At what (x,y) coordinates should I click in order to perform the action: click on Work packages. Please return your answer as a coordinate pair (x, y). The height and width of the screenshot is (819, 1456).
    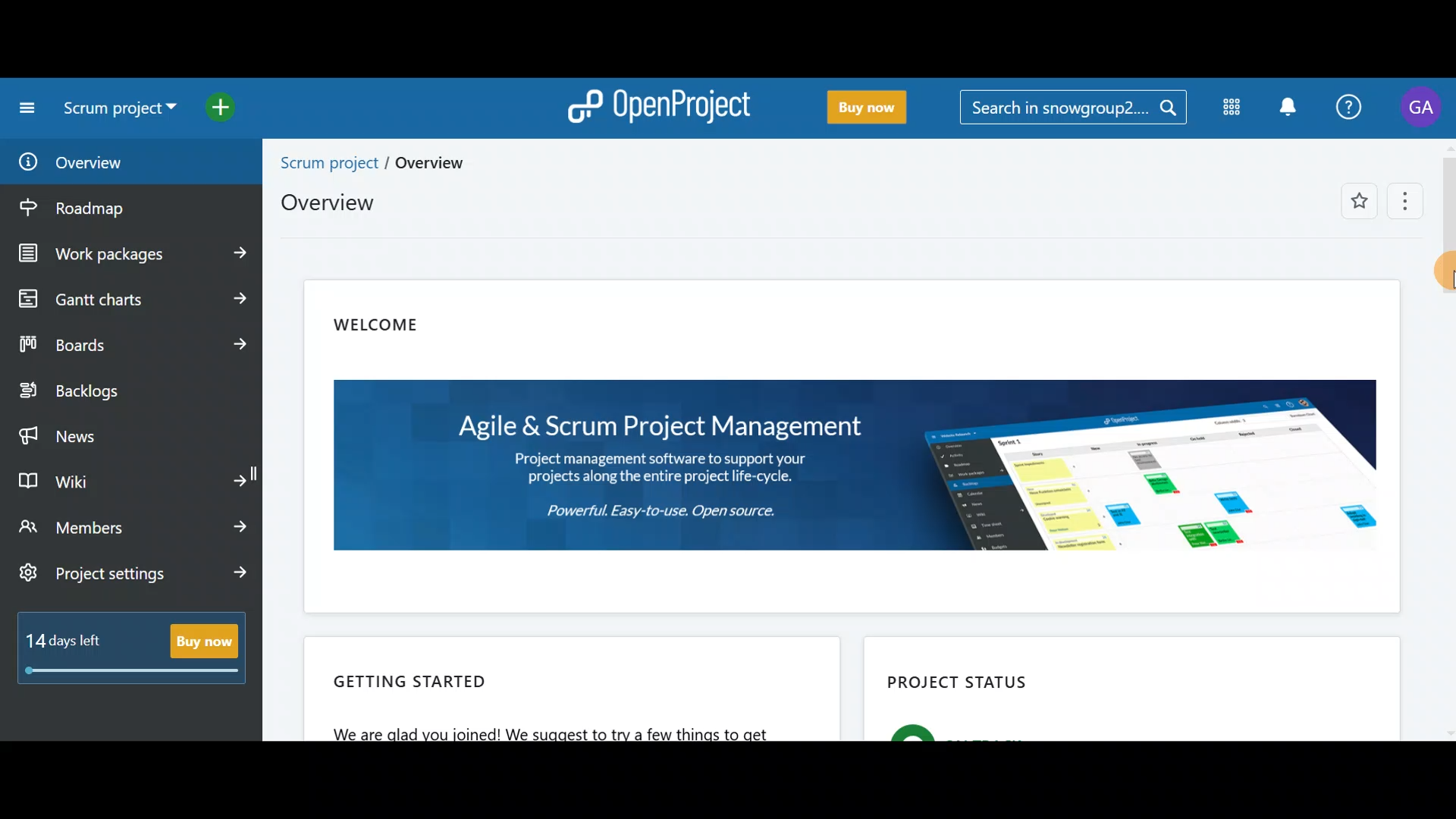
    Looking at the image, I should click on (133, 254).